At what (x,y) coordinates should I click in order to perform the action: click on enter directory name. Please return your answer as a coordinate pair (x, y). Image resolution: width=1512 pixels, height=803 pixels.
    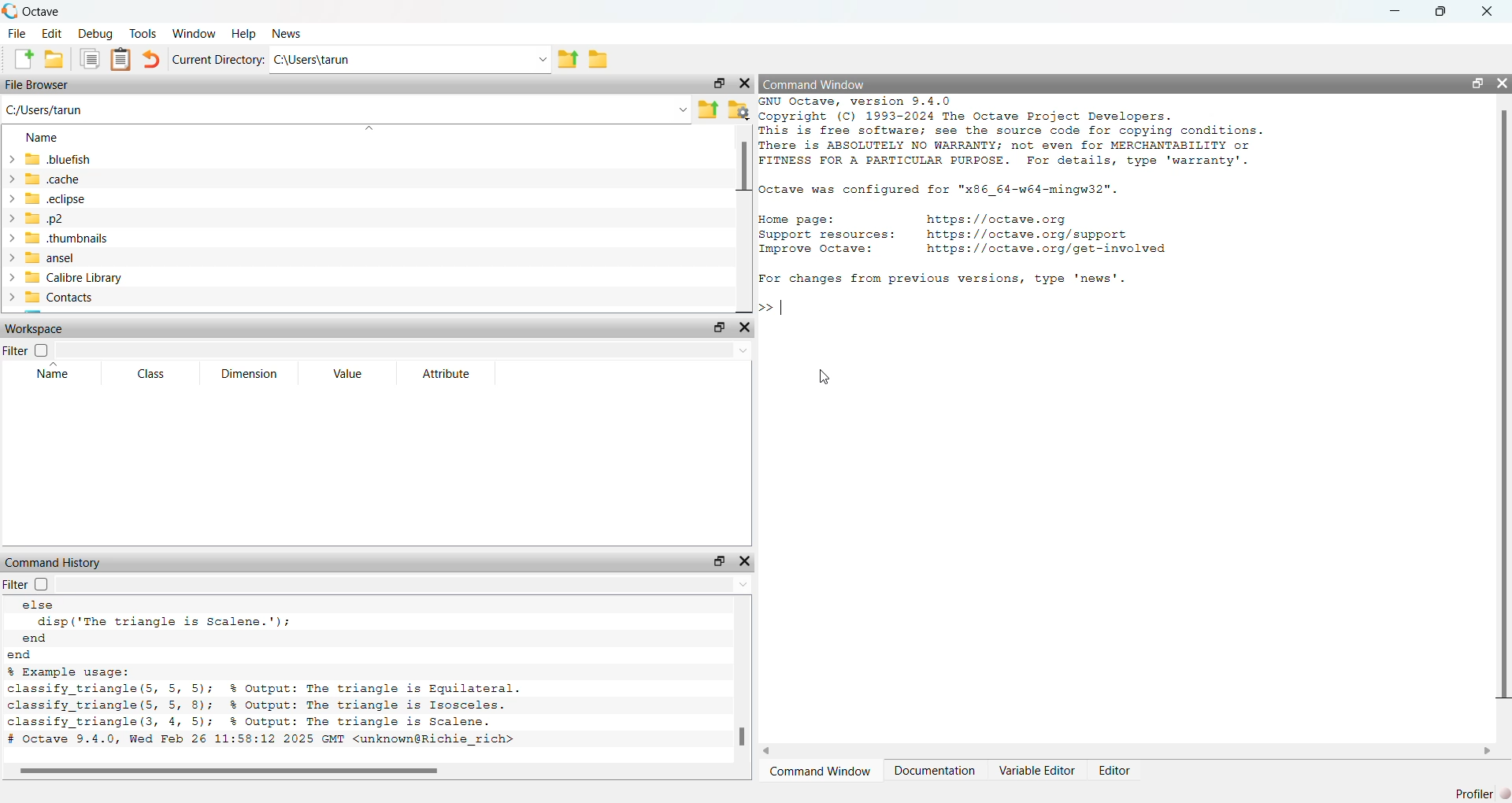
    Looking at the image, I should click on (410, 61).